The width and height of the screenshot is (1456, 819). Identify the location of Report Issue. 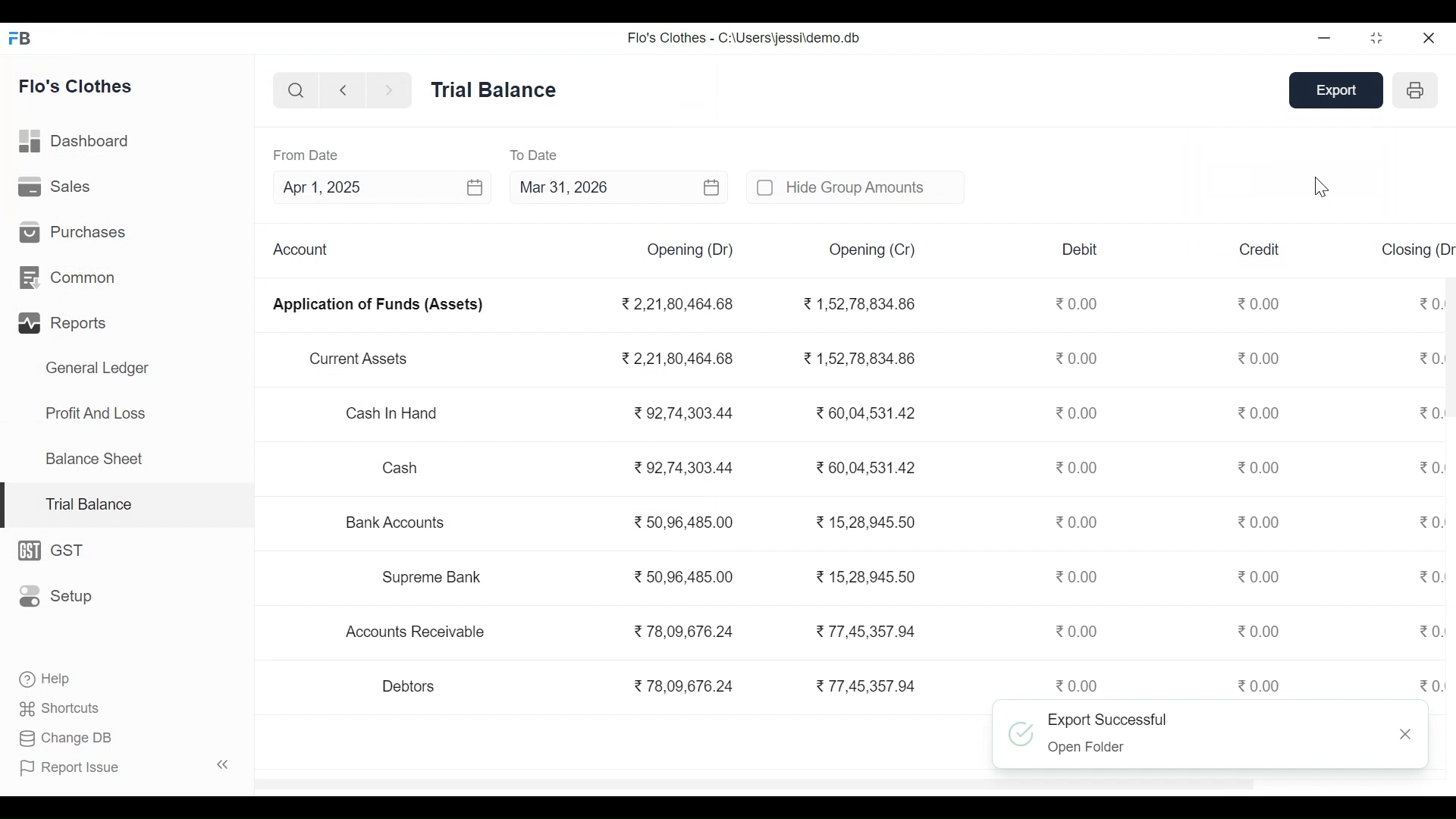
(124, 767).